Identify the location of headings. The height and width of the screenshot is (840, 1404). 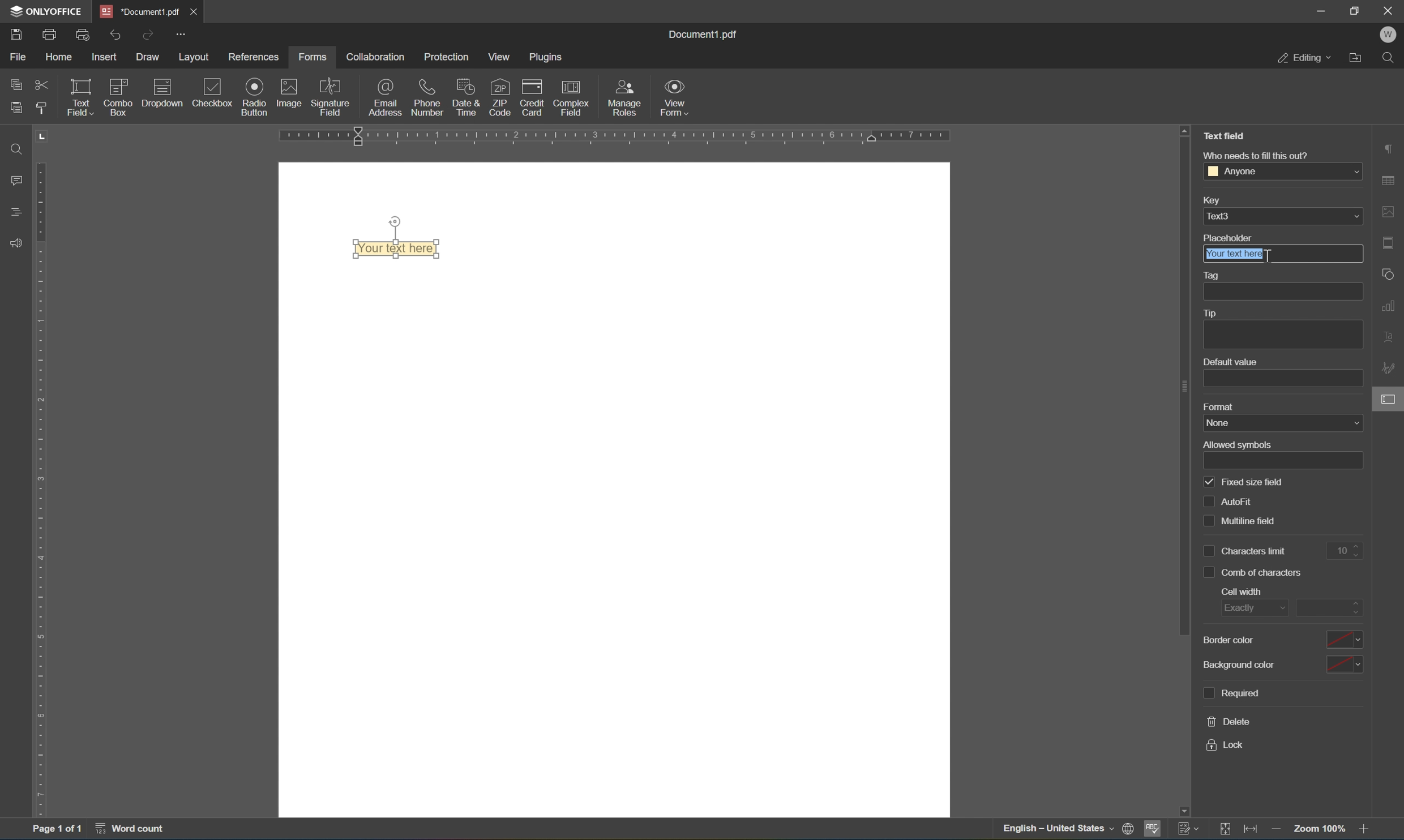
(14, 212).